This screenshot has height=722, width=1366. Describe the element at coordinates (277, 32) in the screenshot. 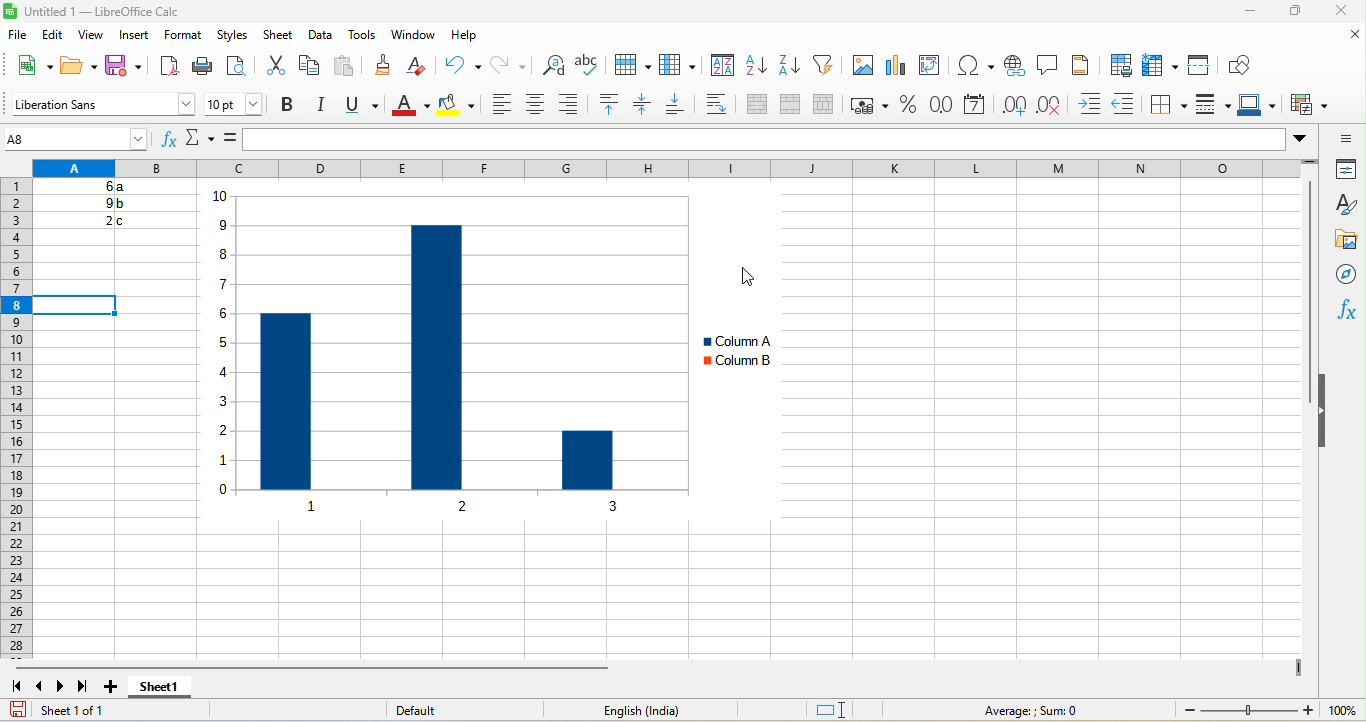

I see `sheet` at that location.